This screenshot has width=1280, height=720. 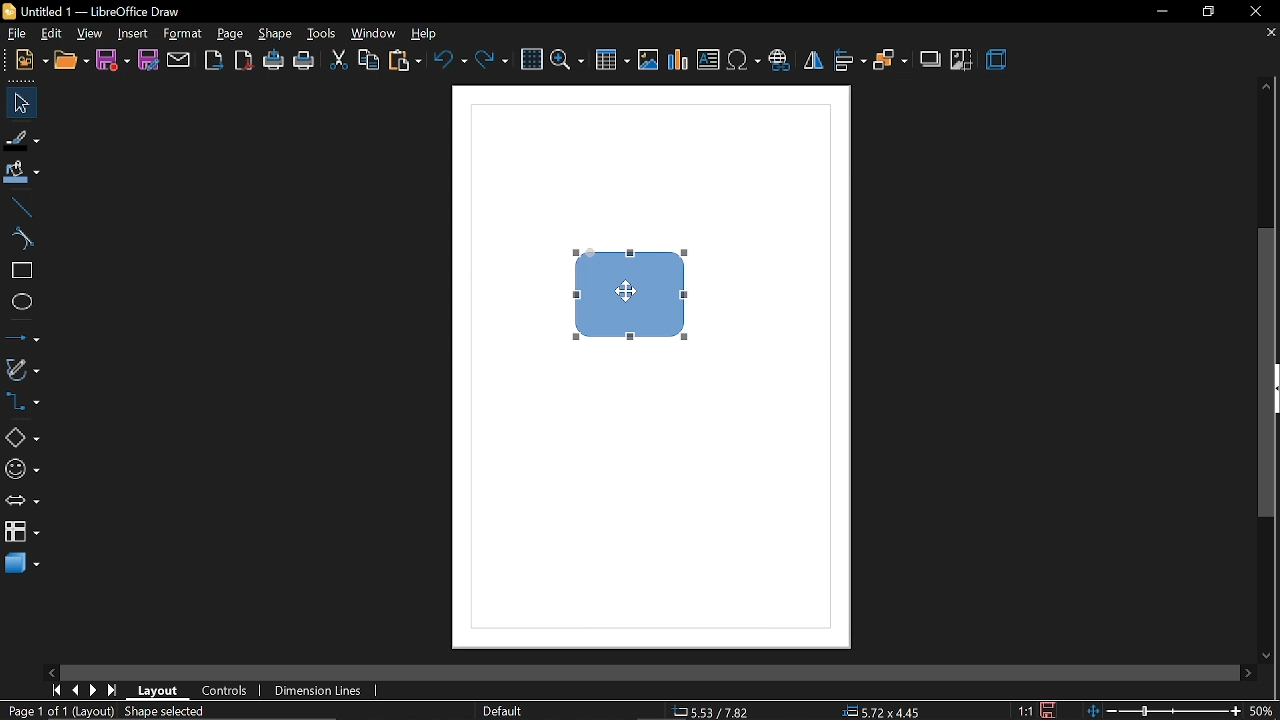 I want to click on controls, so click(x=227, y=689).